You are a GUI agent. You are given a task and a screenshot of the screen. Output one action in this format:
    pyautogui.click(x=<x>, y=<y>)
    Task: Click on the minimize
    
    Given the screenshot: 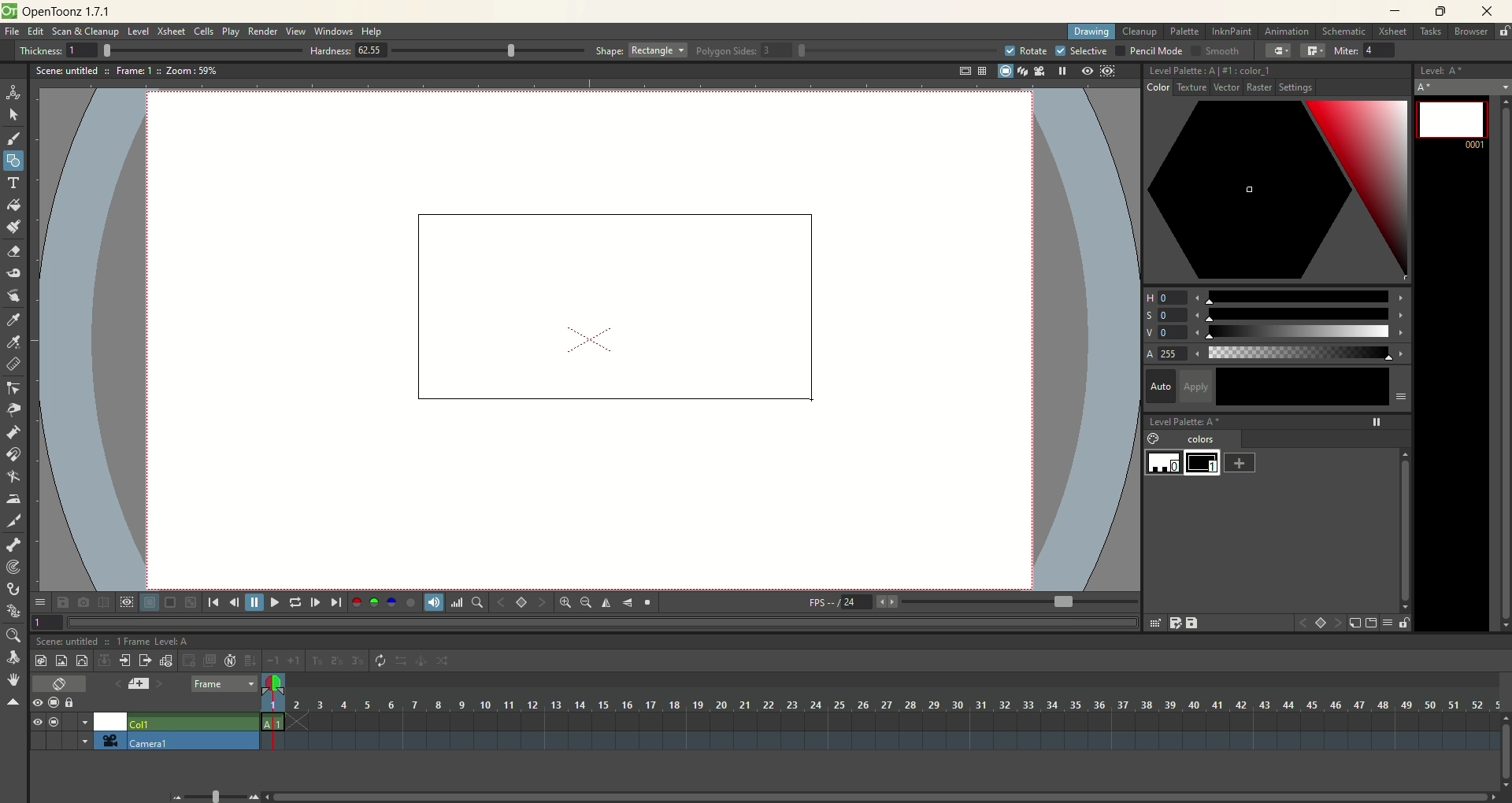 What is the action you would take?
    pyautogui.click(x=1395, y=10)
    